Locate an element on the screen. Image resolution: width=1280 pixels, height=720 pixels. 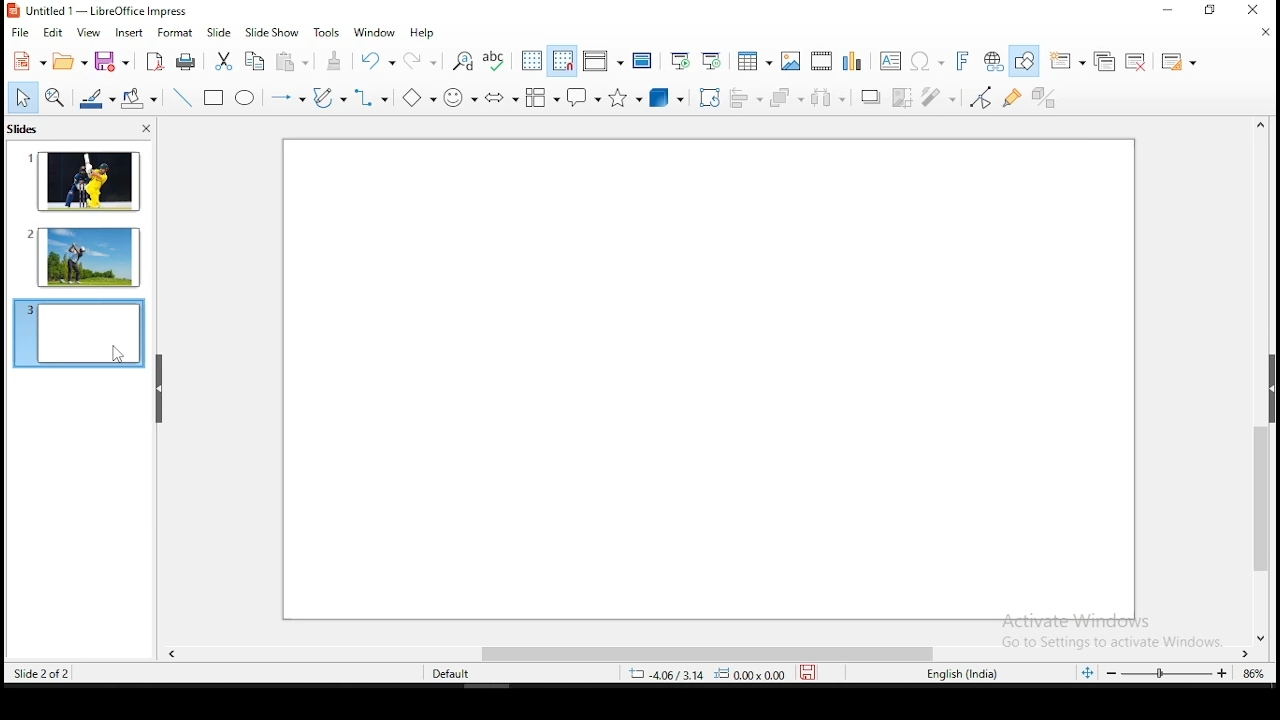
open is located at coordinates (68, 60).